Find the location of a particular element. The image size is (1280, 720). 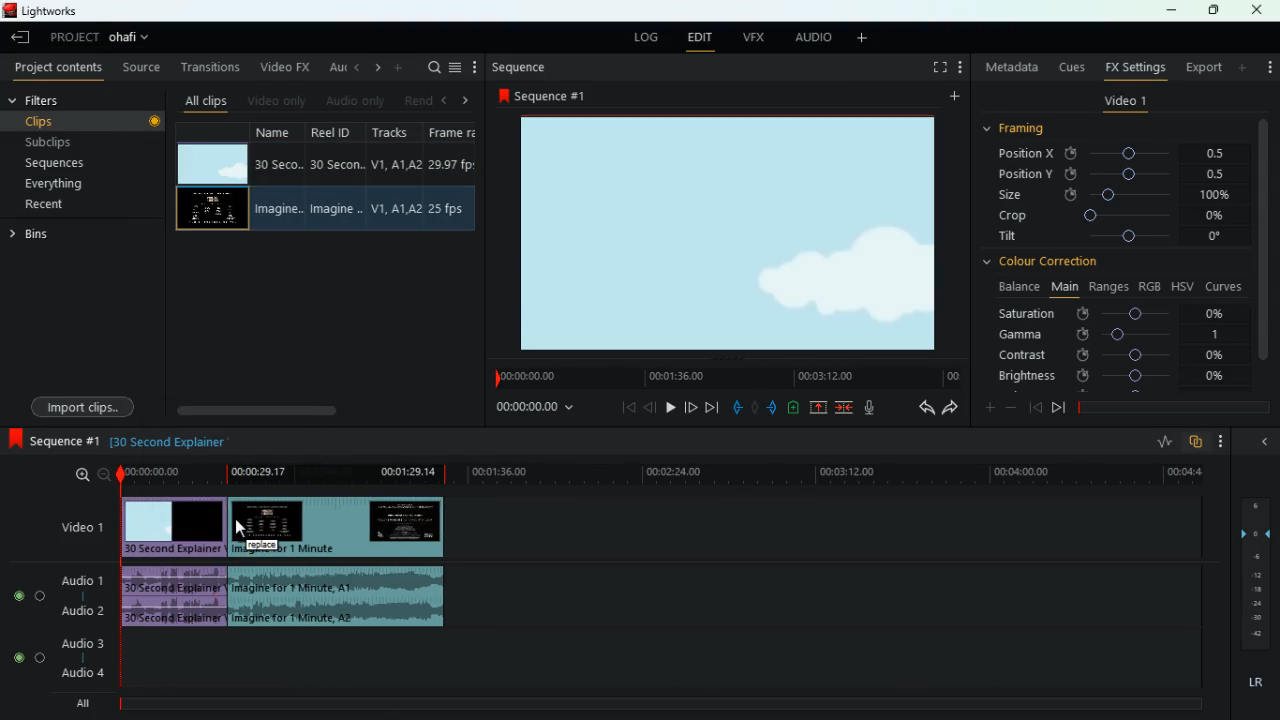

scroll is located at coordinates (321, 410).